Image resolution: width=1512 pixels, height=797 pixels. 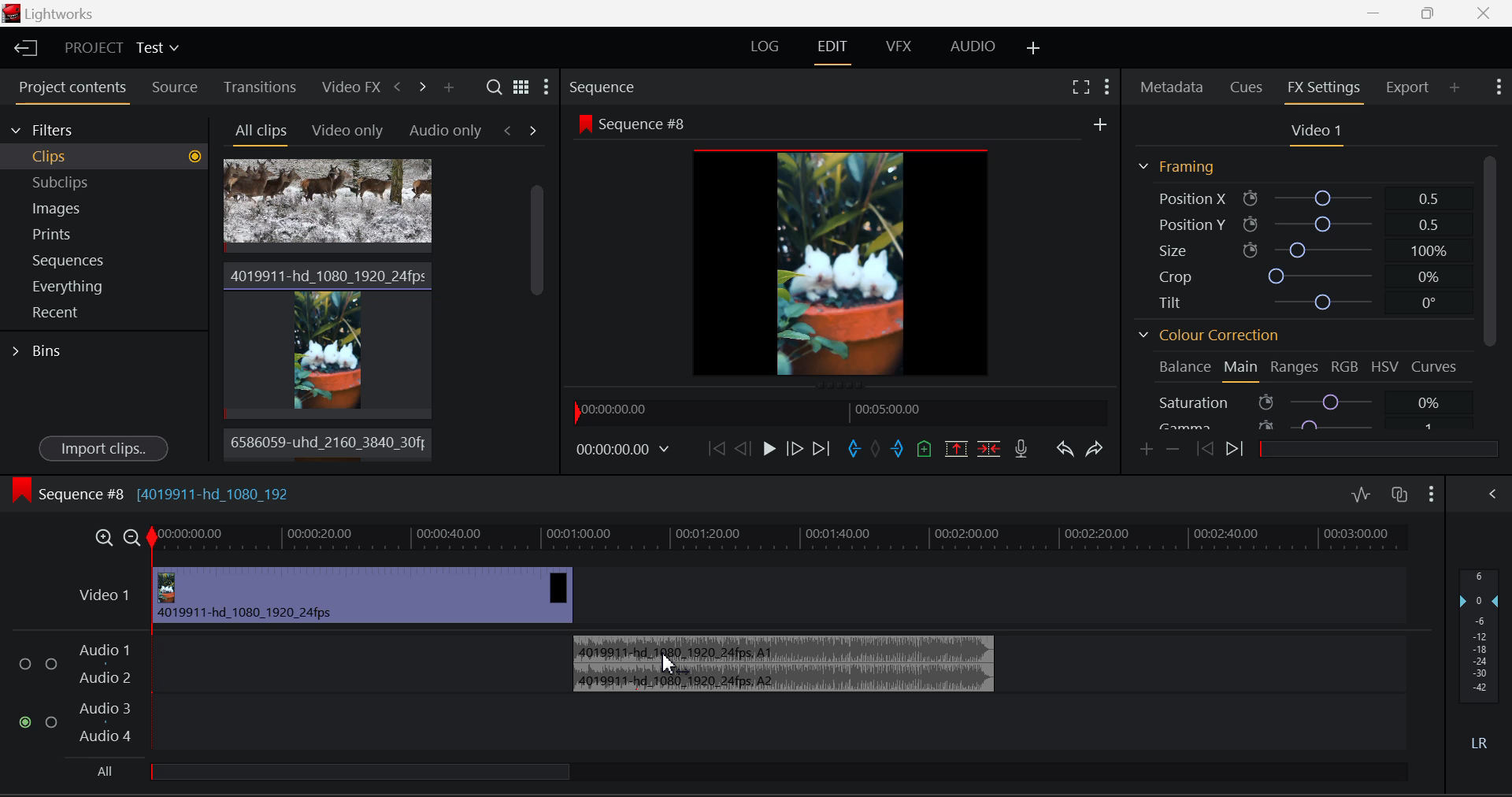 I want to click on Import clips, so click(x=103, y=447).